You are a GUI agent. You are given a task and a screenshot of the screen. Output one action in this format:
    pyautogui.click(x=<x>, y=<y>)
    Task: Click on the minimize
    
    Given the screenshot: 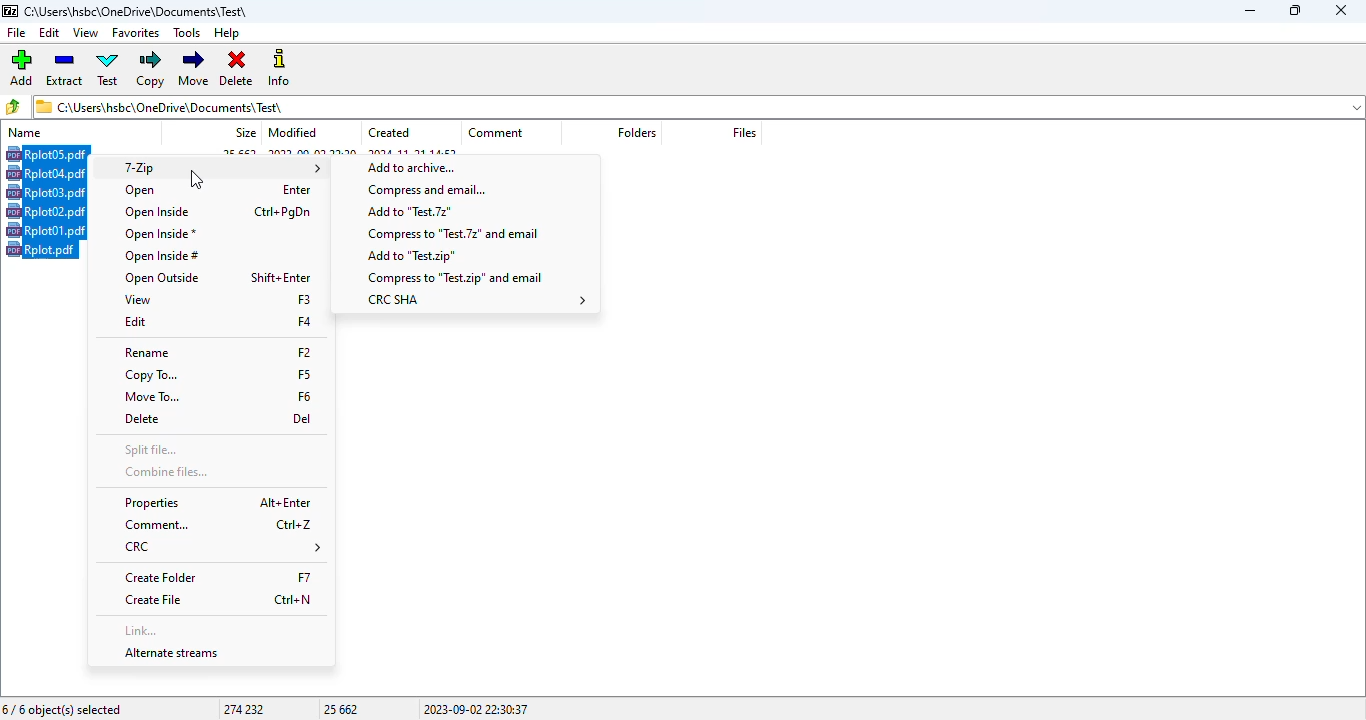 What is the action you would take?
    pyautogui.click(x=1249, y=11)
    